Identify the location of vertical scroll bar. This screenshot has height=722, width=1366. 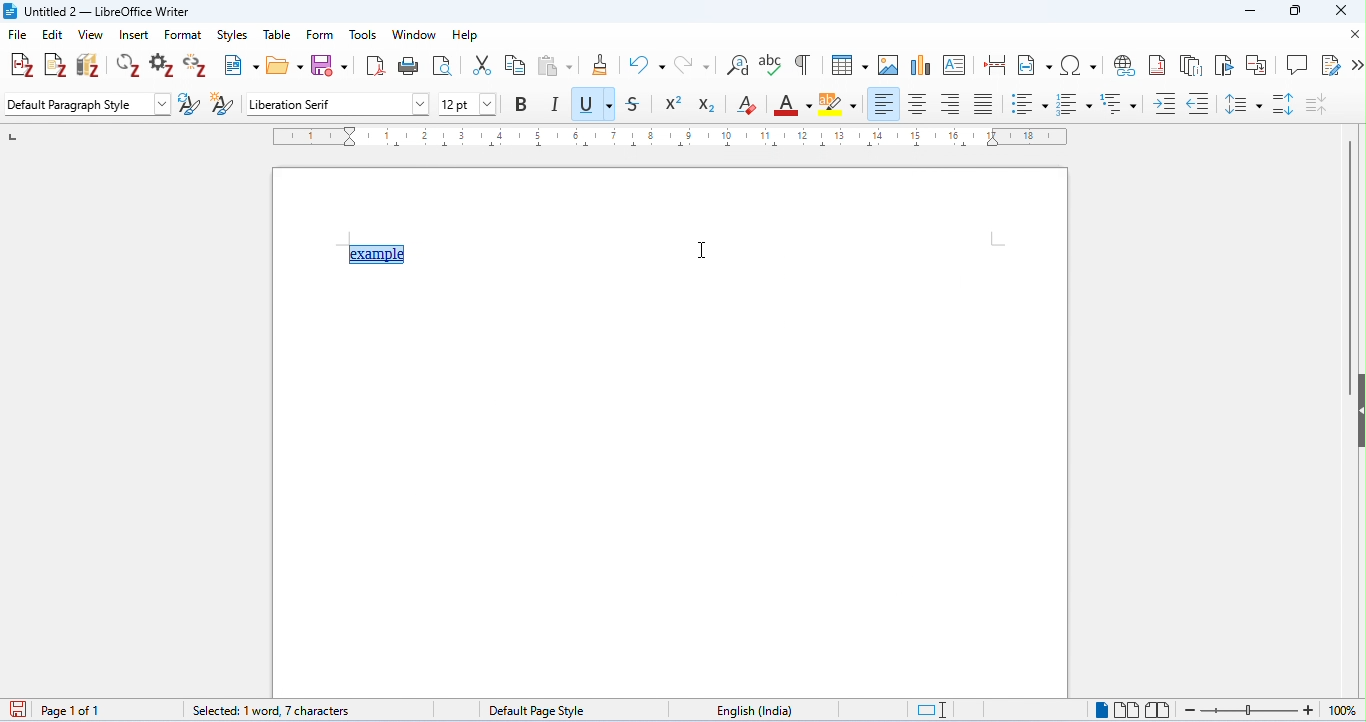
(1347, 268).